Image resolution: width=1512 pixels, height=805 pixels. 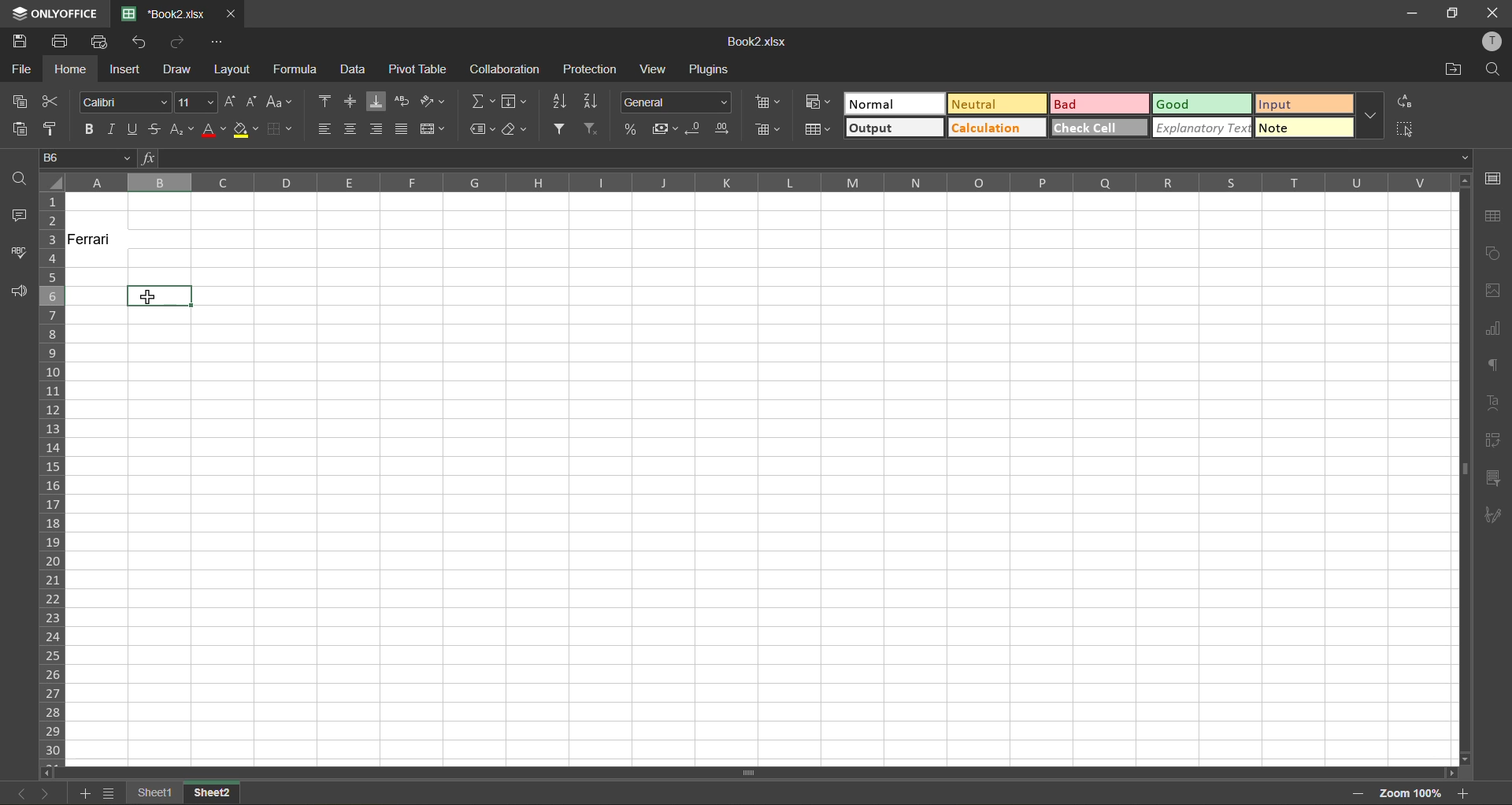 I want to click on clear filter, so click(x=593, y=129).